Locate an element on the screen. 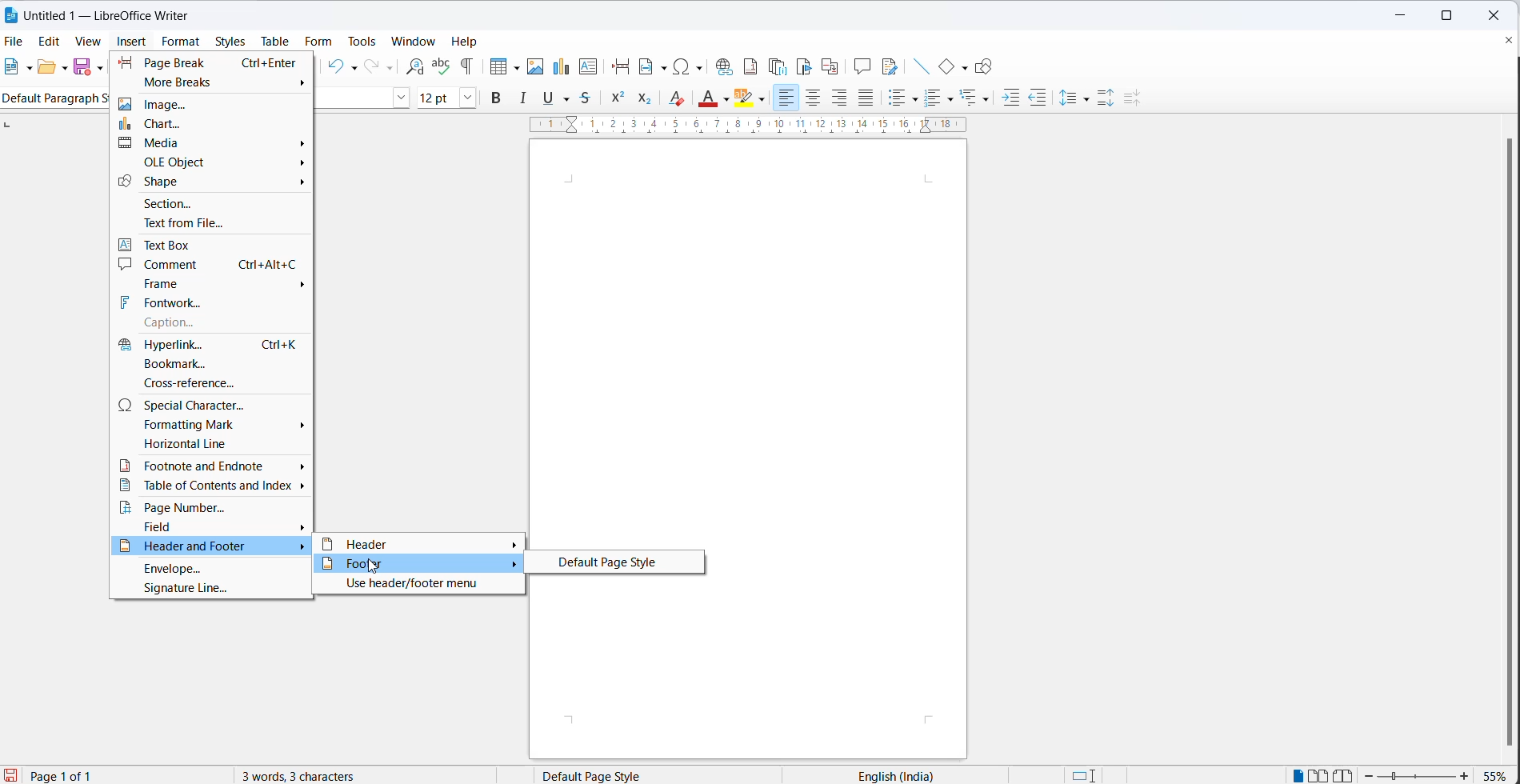 Image resolution: width=1520 pixels, height=784 pixels. zoom decrease is located at coordinates (1369, 776).